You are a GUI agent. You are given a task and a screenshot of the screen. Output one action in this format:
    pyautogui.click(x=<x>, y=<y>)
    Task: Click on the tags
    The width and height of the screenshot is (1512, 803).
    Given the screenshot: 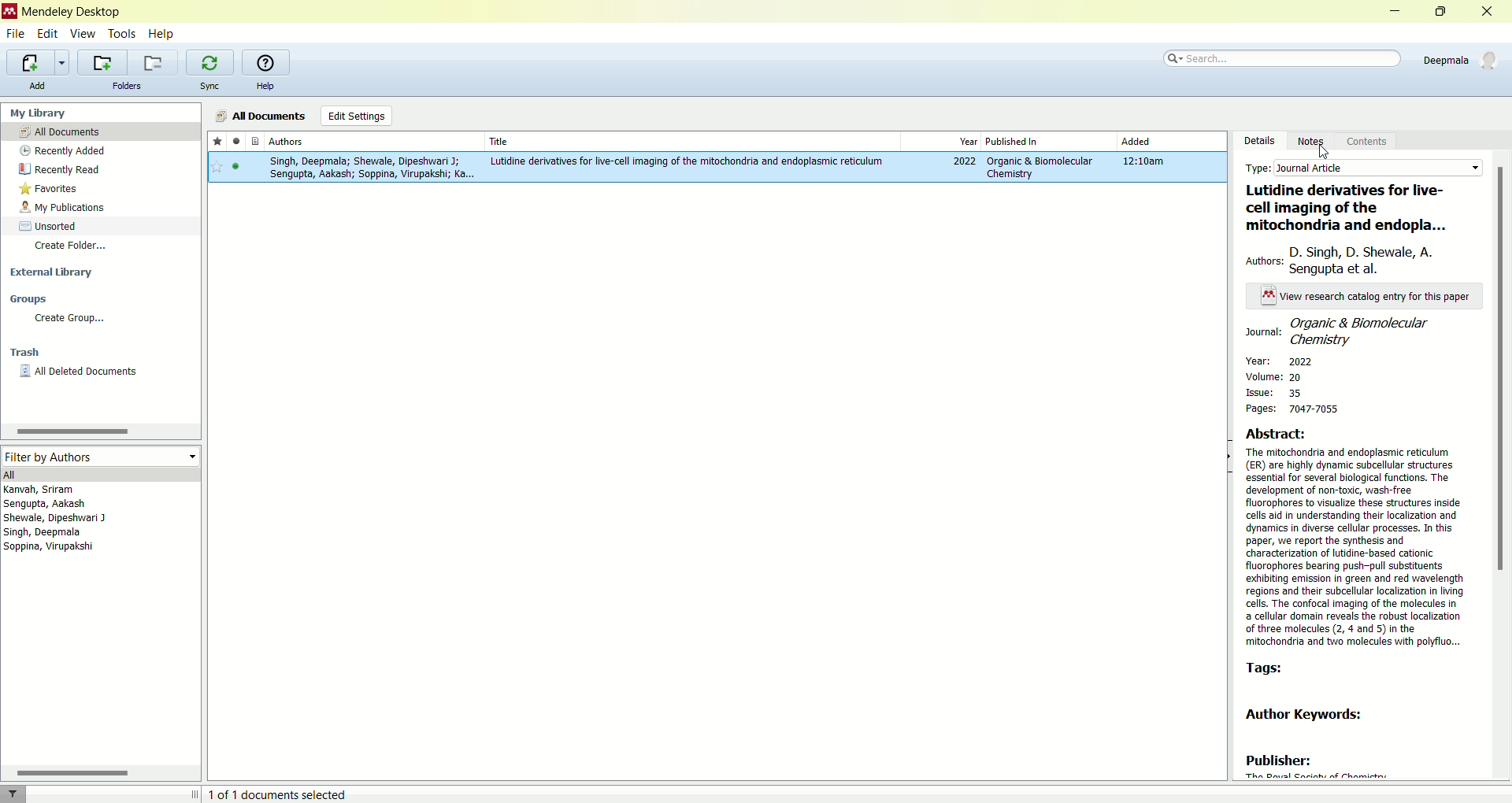 What is the action you would take?
    pyautogui.click(x=1264, y=670)
    